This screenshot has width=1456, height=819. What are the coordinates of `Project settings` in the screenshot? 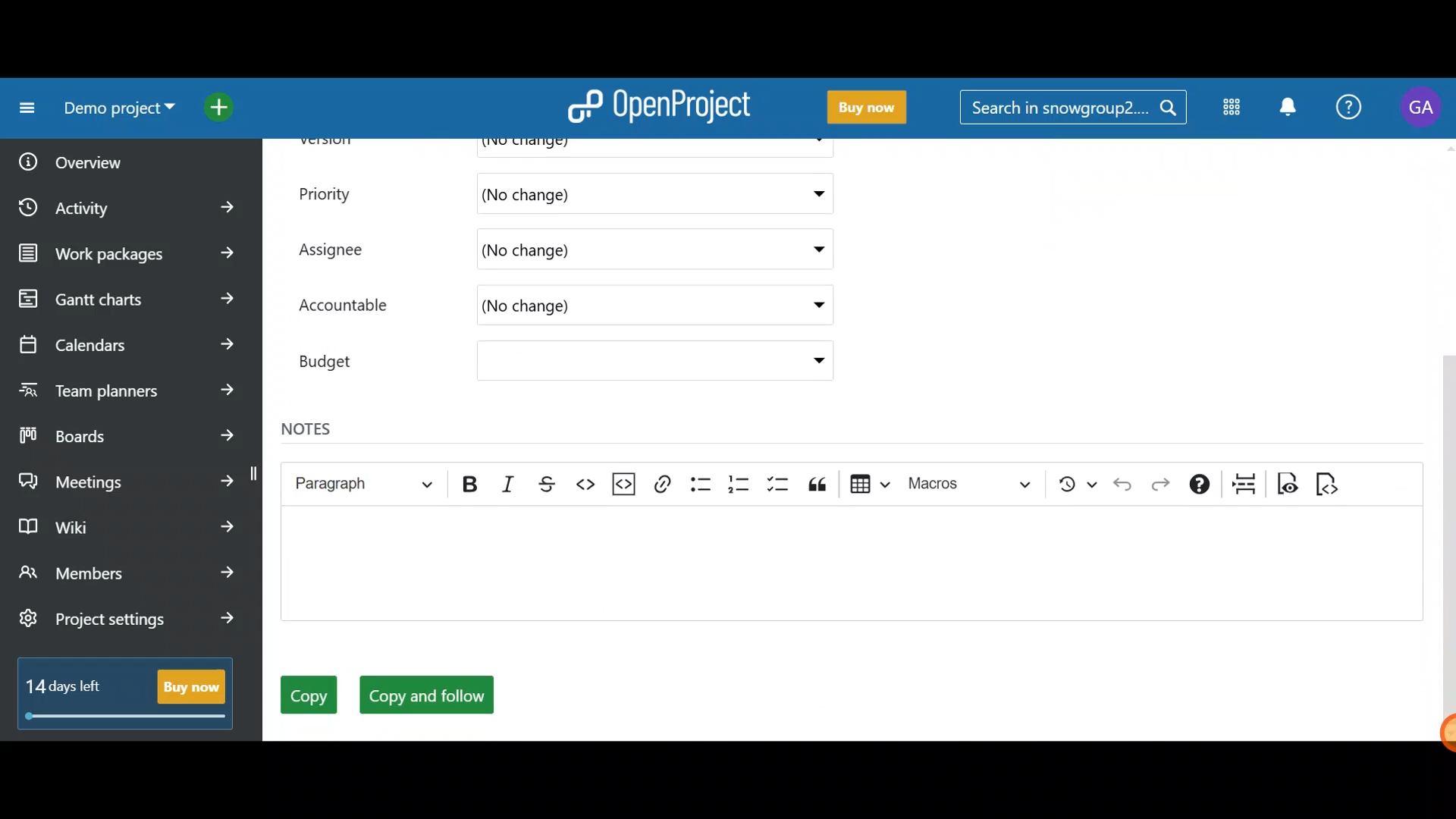 It's located at (140, 629).